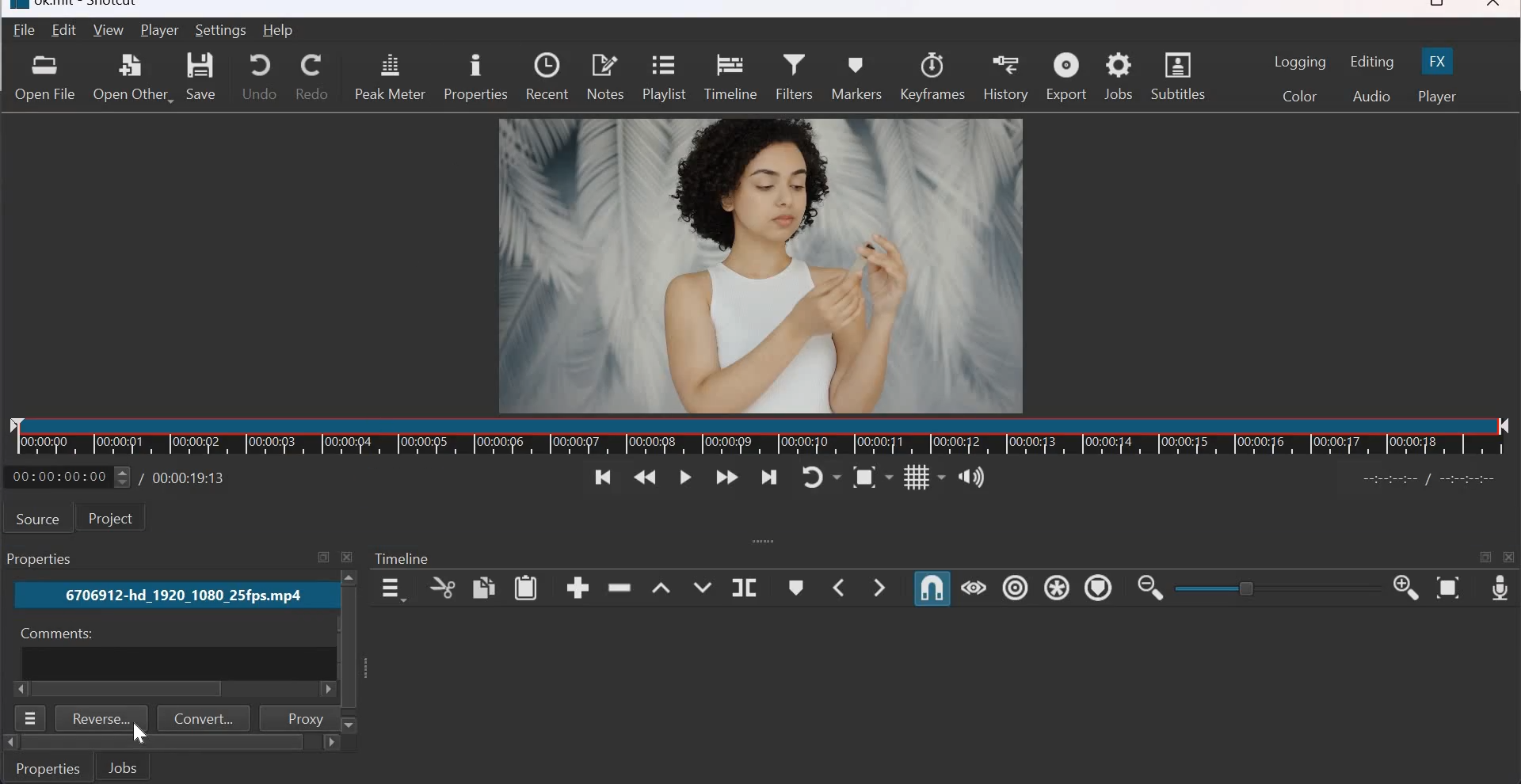 The width and height of the screenshot is (1521, 784). What do you see at coordinates (10, 743) in the screenshot?
I see `scroll left` at bounding box center [10, 743].